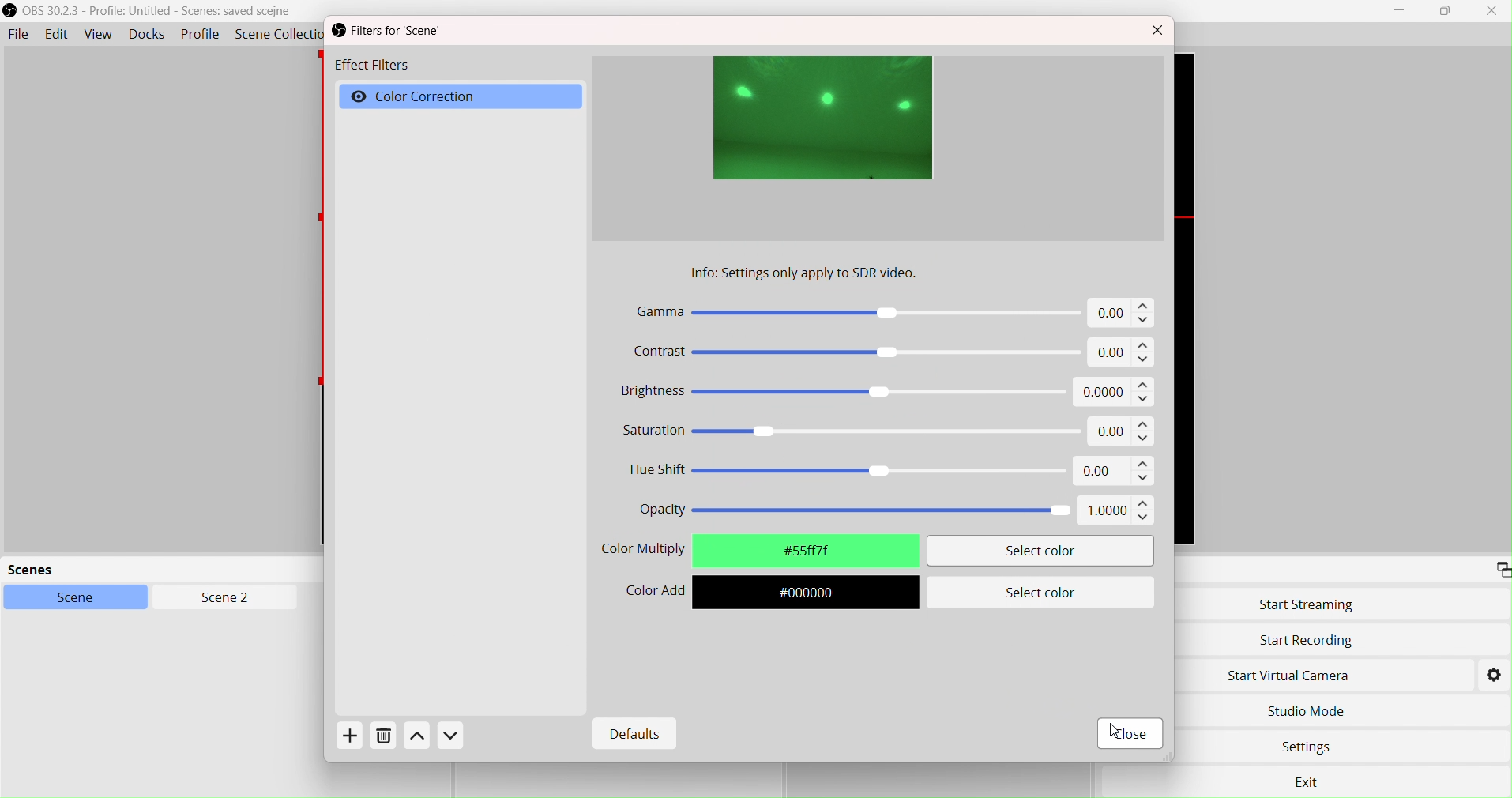 The image size is (1512, 798). I want to click on Add, so click(355, 740).